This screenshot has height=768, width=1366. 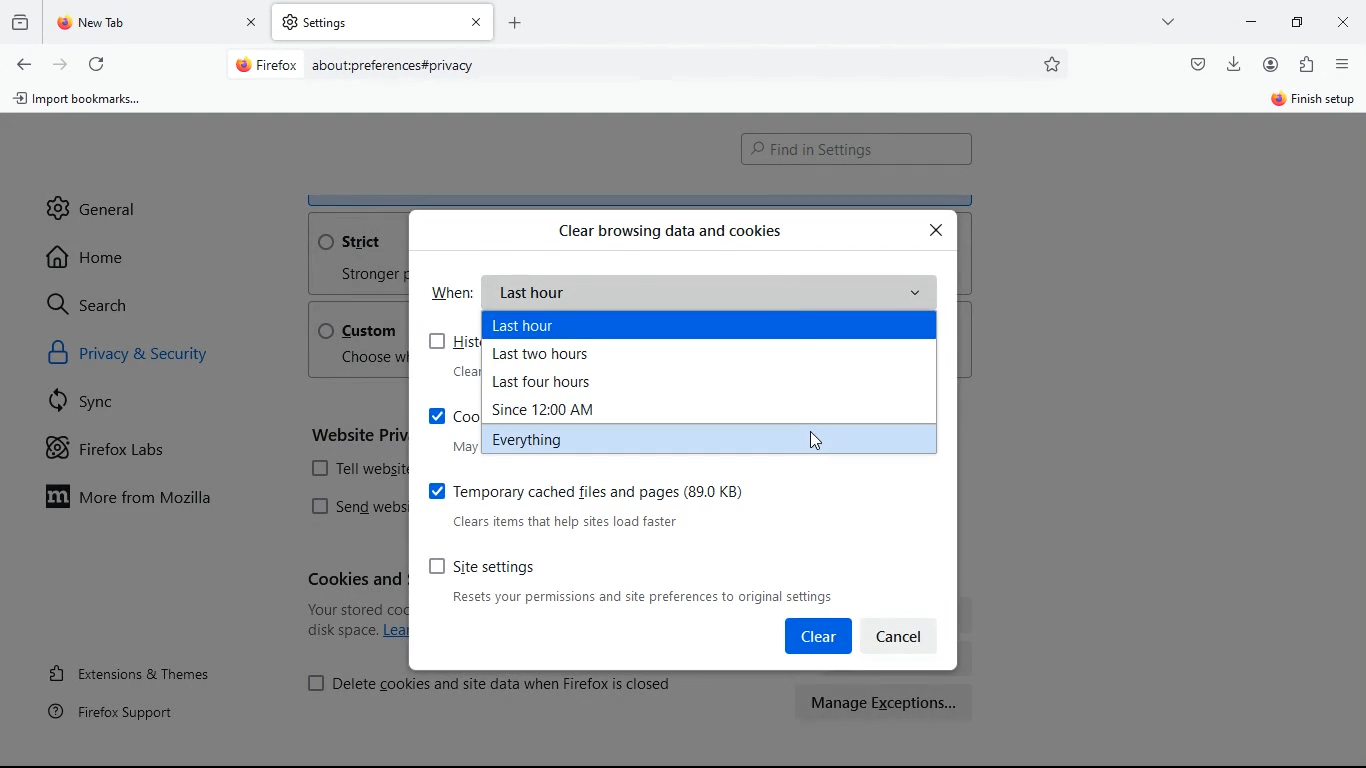 What do you see at coordinates (1196, 63) in the screenshot?
I see `pocket` at bounding box center [1196, 63].